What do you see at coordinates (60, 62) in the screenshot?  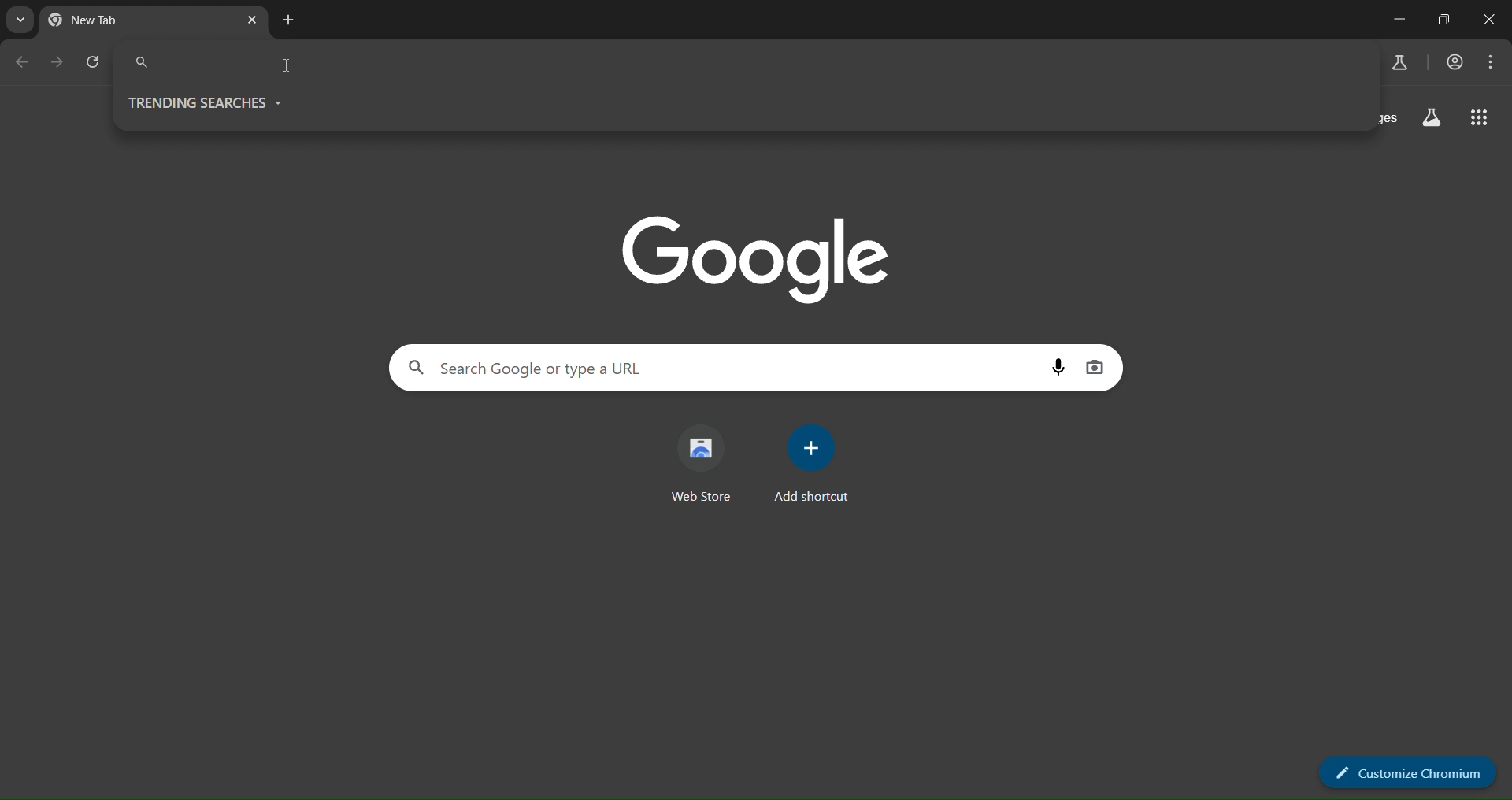 I see `go forward one page` at bounding box center [60, 62].